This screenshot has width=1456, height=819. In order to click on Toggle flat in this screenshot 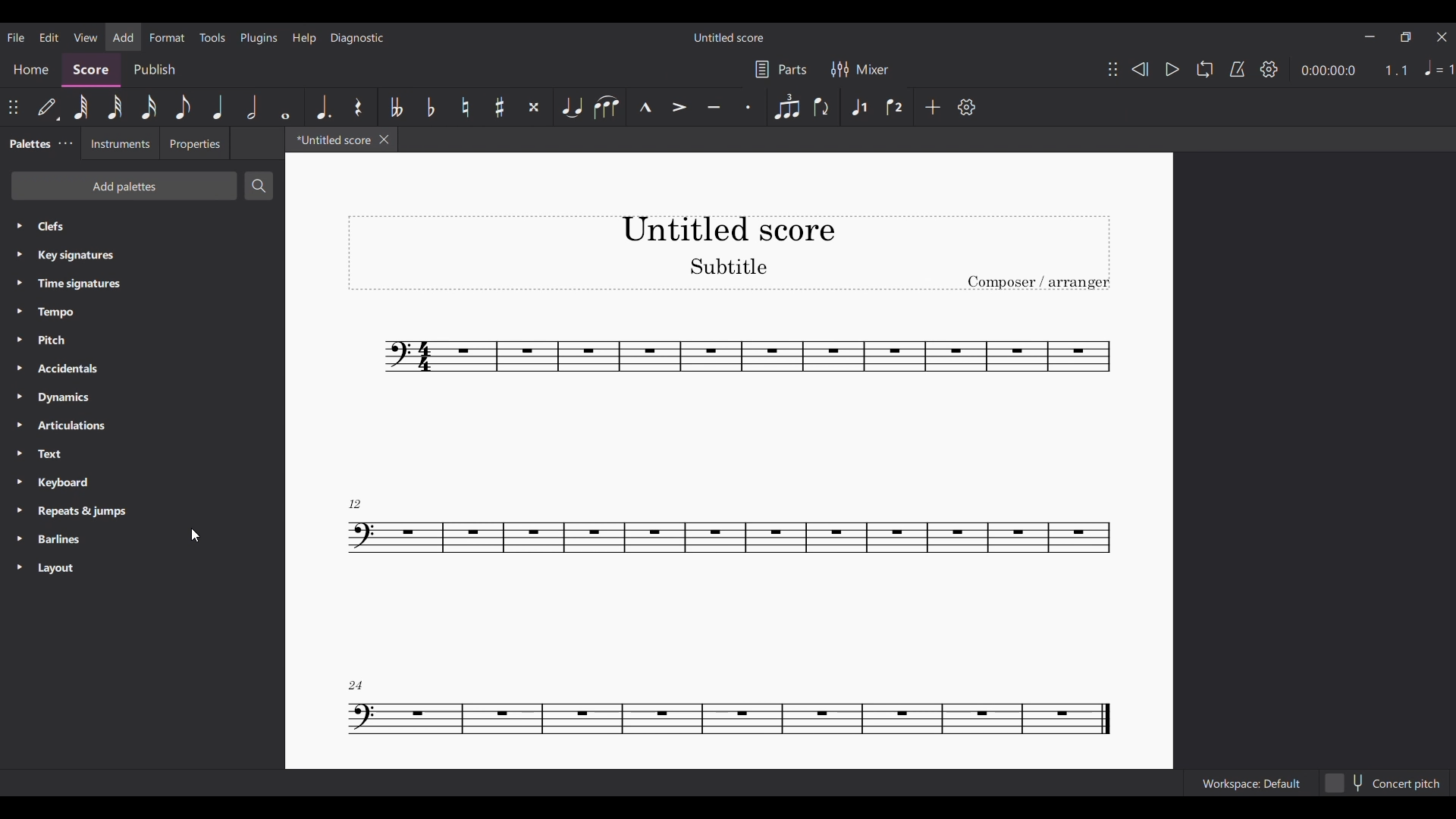, I will do `click(679, 105)`.